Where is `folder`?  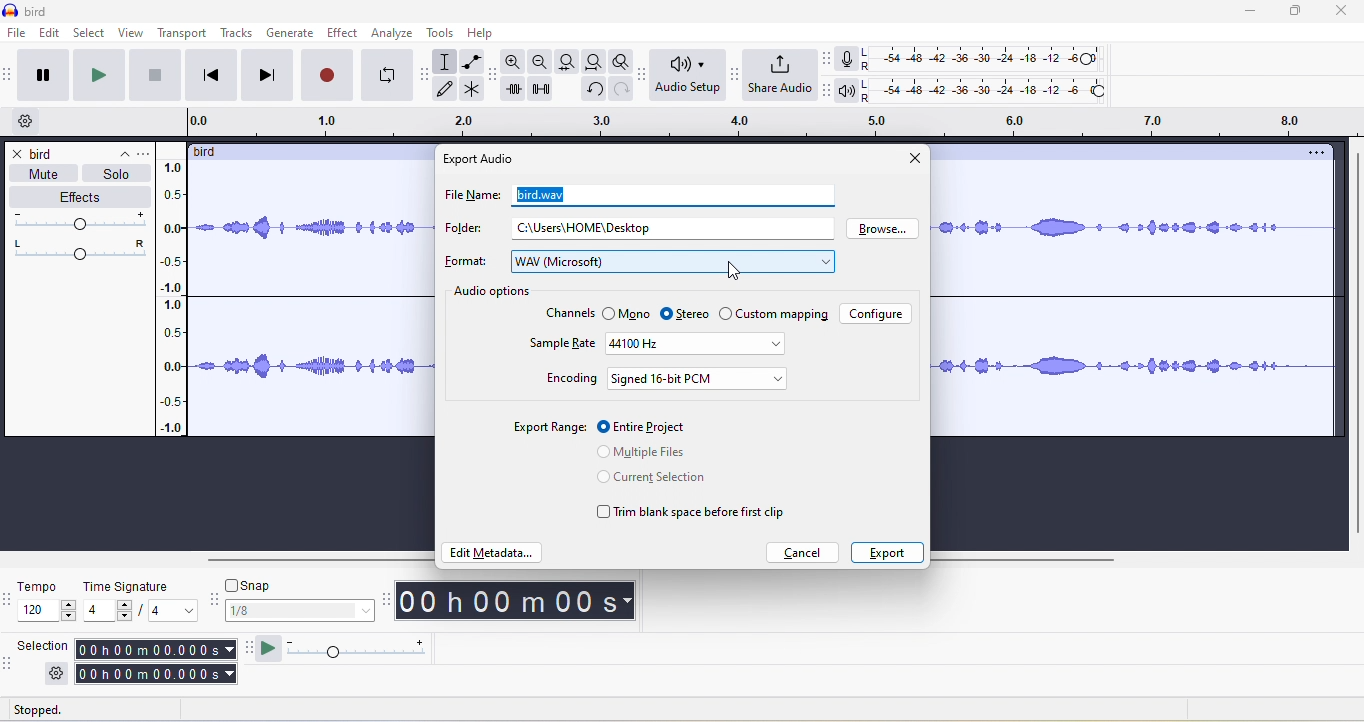
folder is located at coordinates (461, 230).